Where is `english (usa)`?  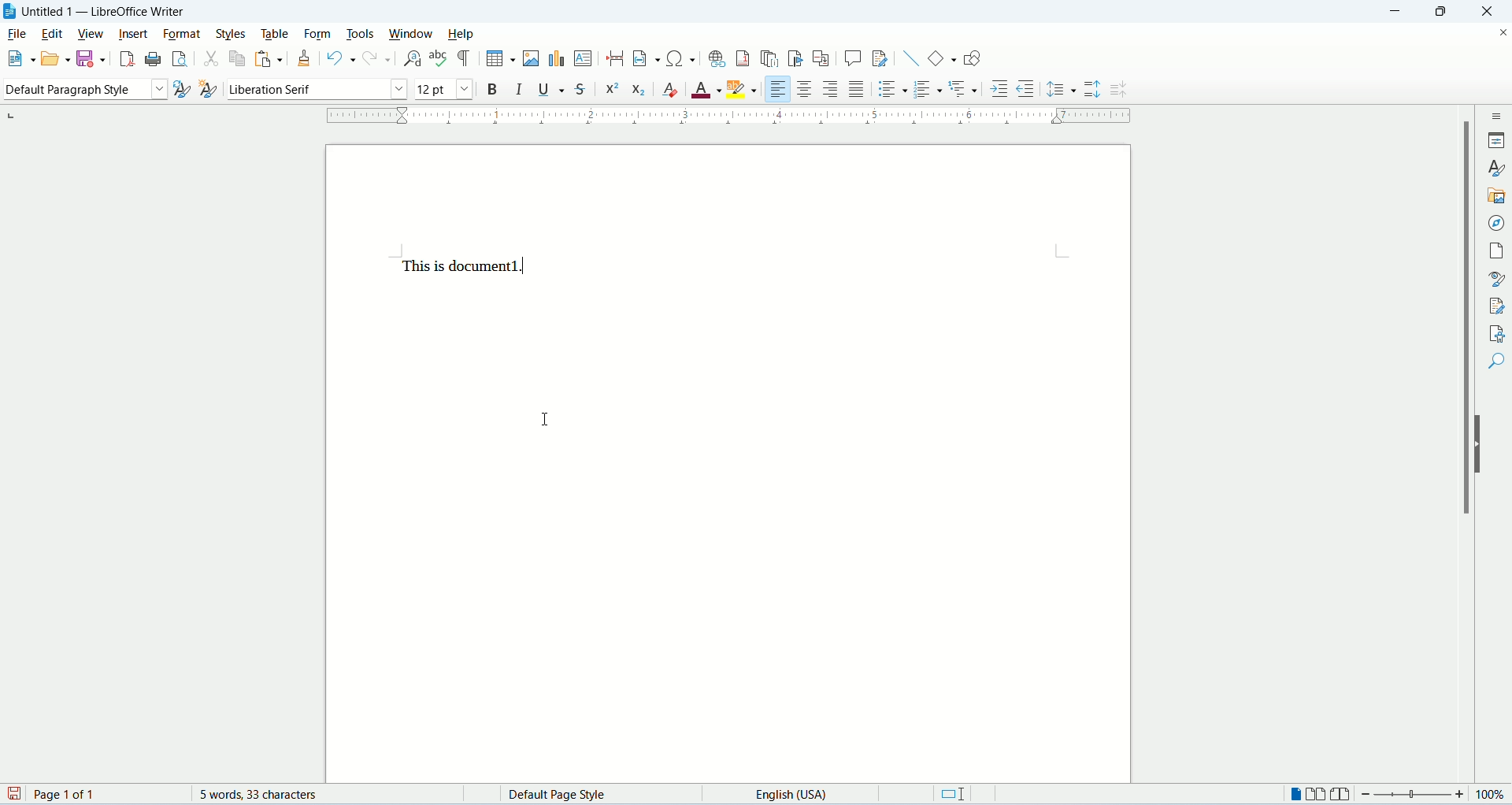 english (usa) is located at coordinates (797, 795).